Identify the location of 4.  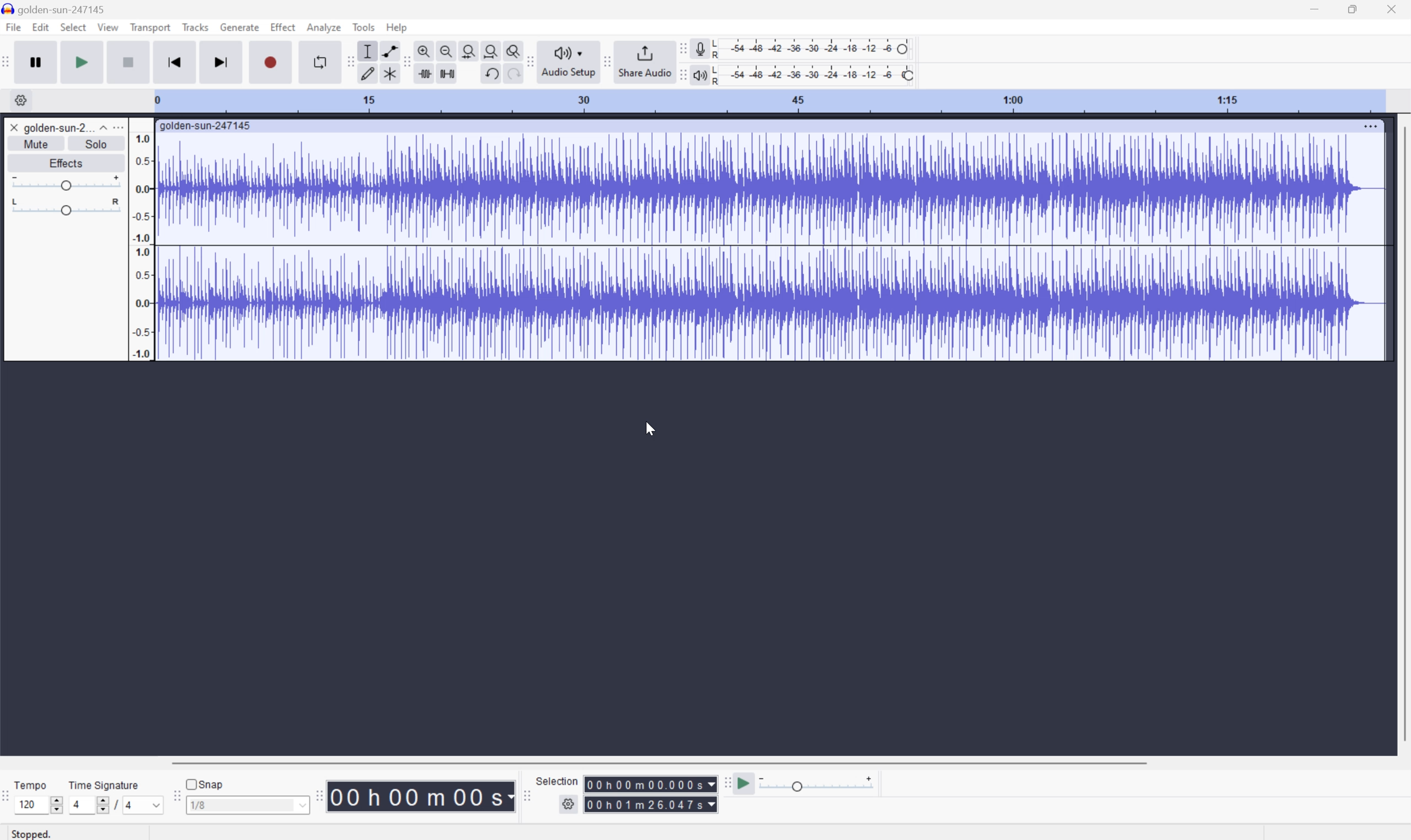
(145, 805).